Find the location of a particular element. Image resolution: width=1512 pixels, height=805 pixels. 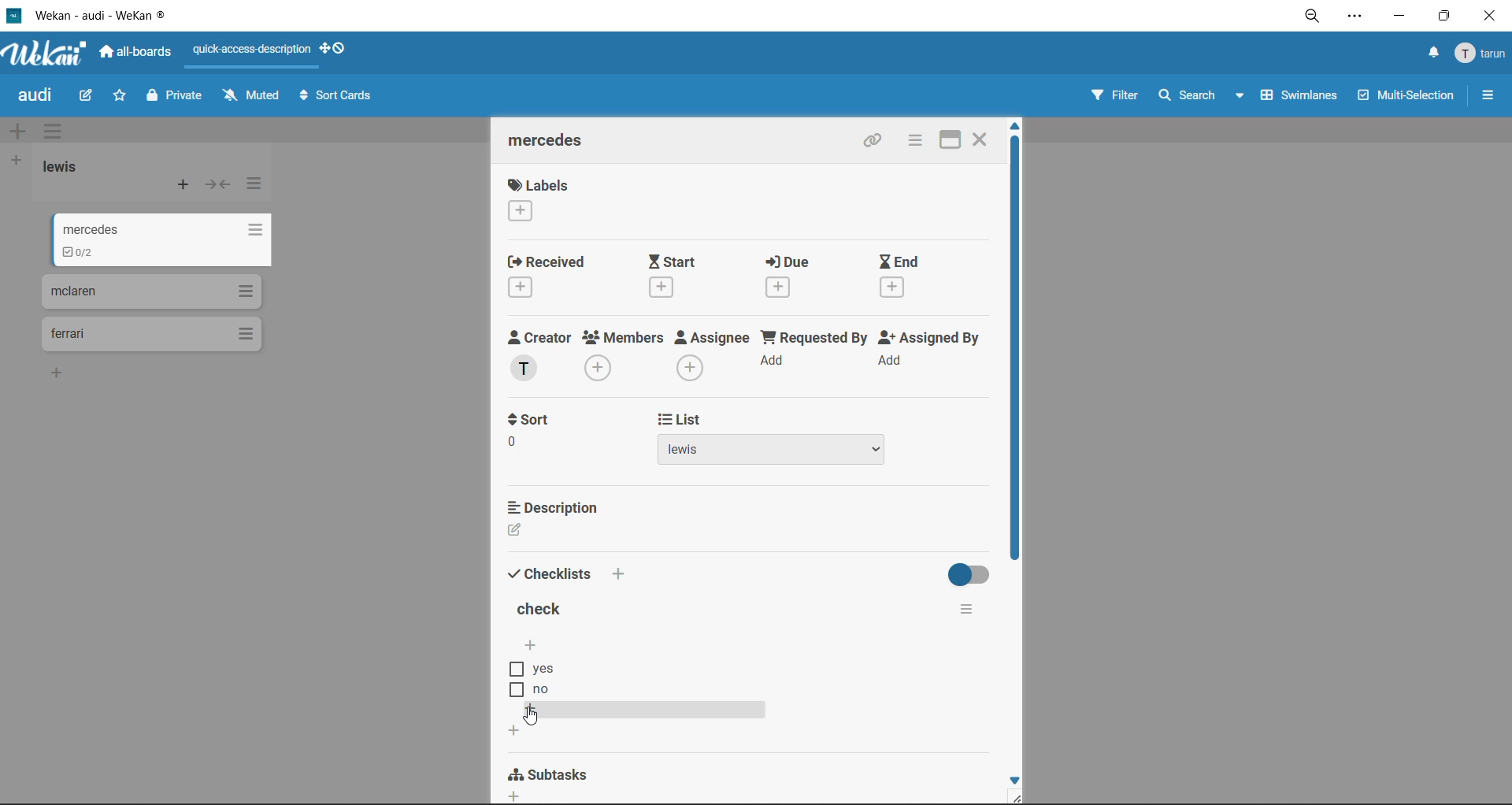

creator is located at coordinates (539, 337).